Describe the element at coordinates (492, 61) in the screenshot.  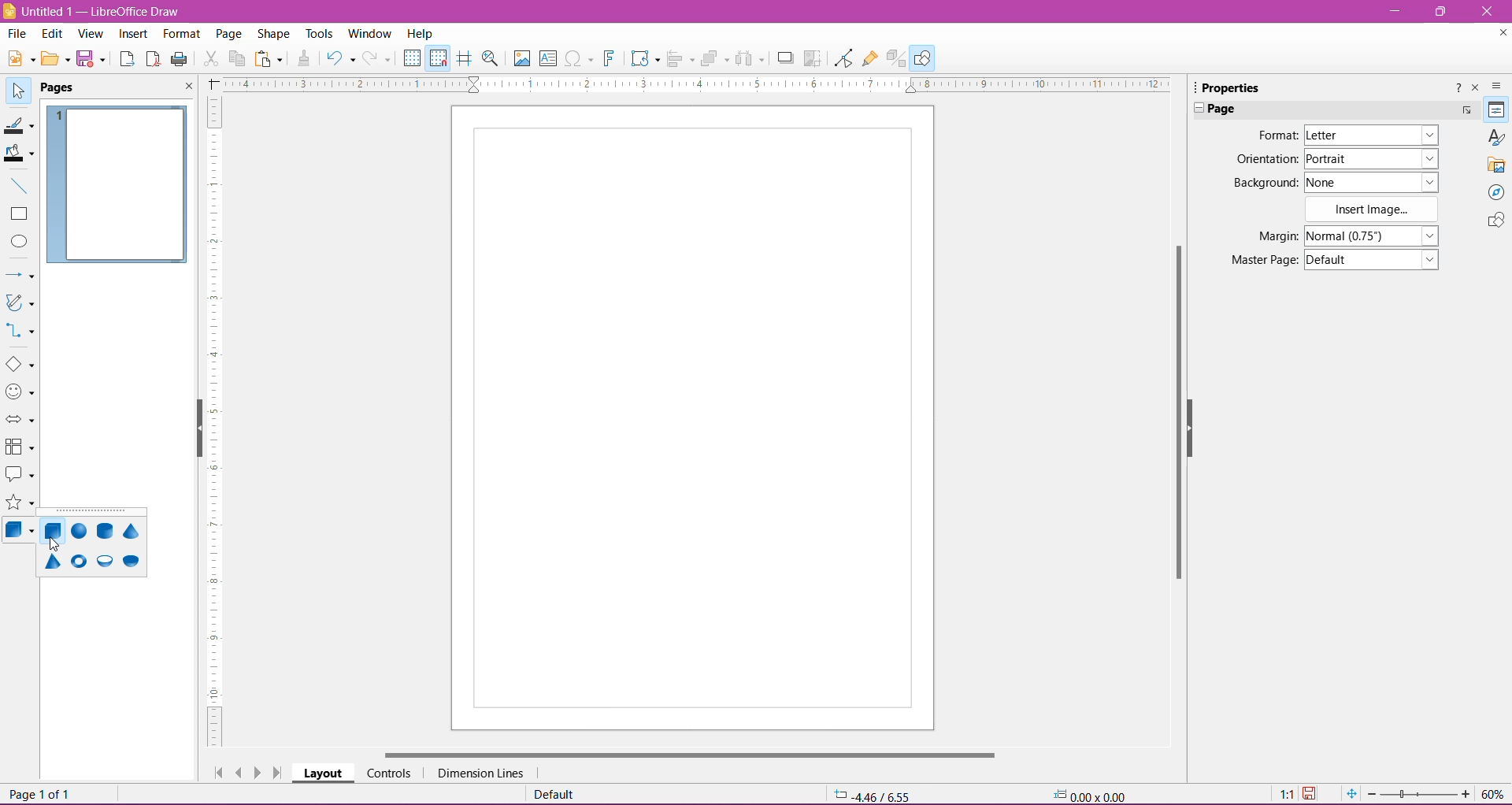
I see `Zoom and Pan` at that location.